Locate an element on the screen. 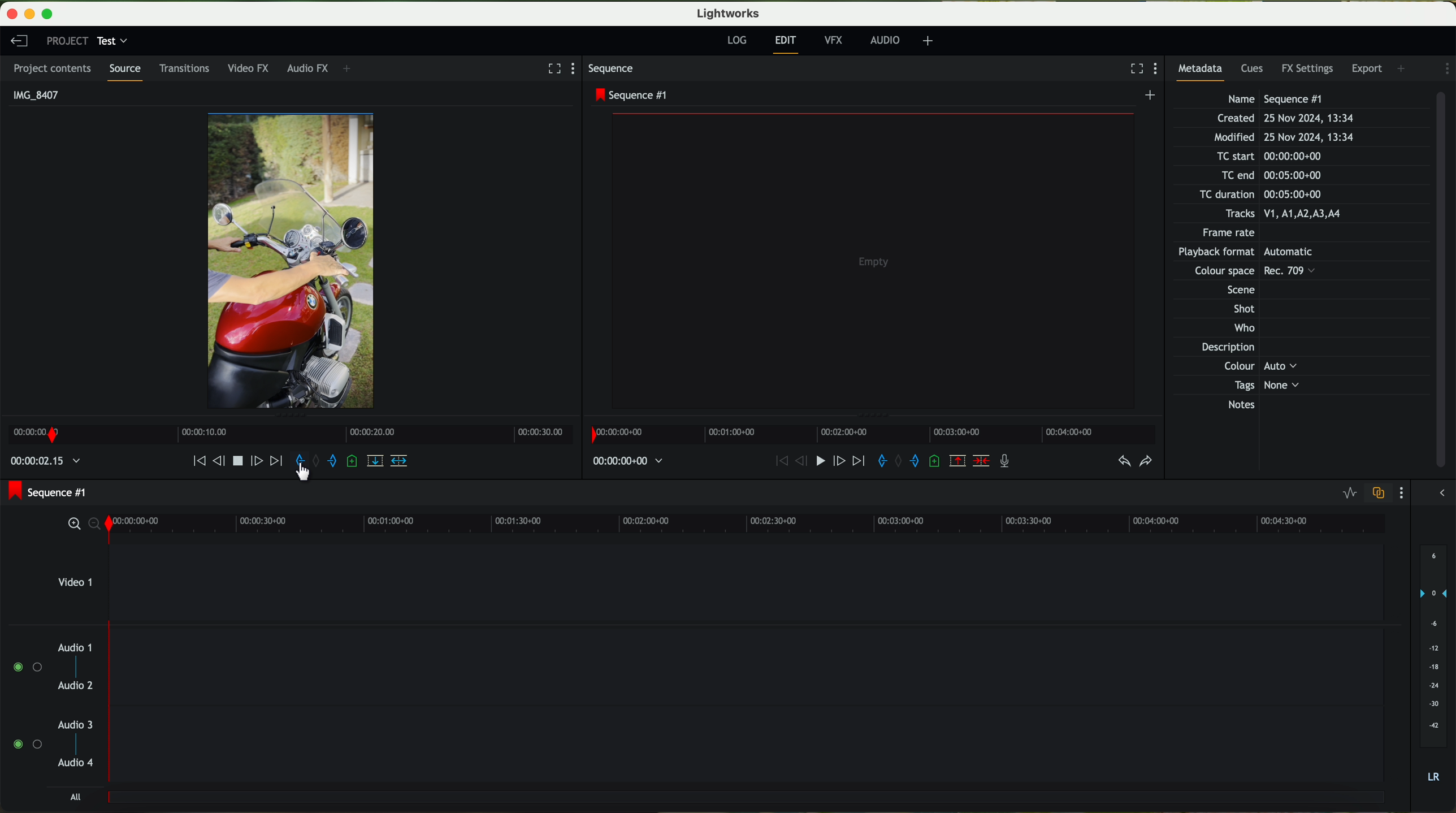 The image size is (1456, 813). VFX is located at coordinates (836, 42).